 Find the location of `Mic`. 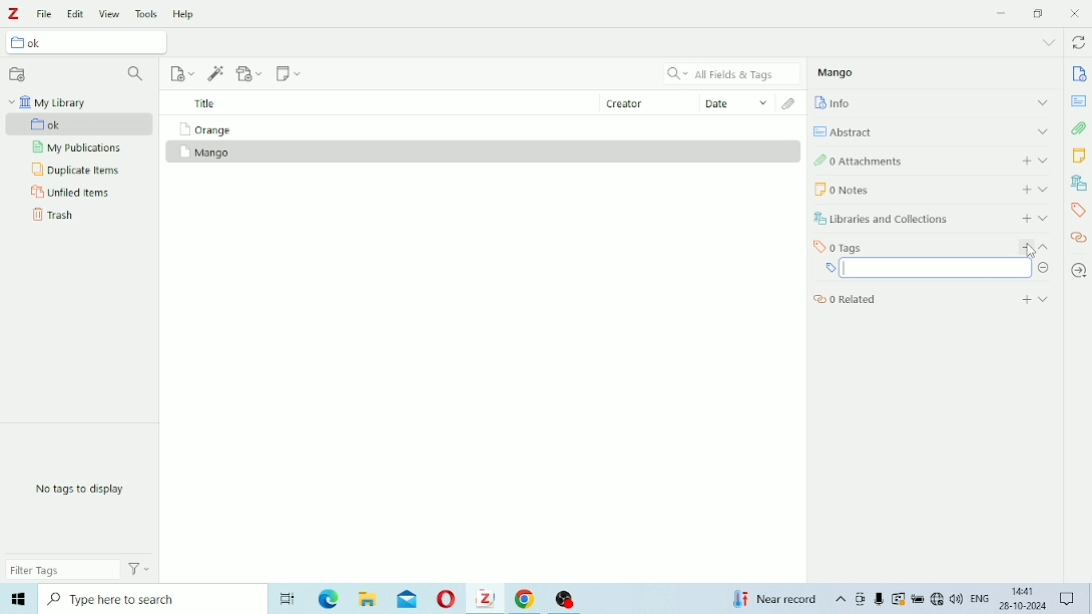

Mic is located at coordinates (879, 598).